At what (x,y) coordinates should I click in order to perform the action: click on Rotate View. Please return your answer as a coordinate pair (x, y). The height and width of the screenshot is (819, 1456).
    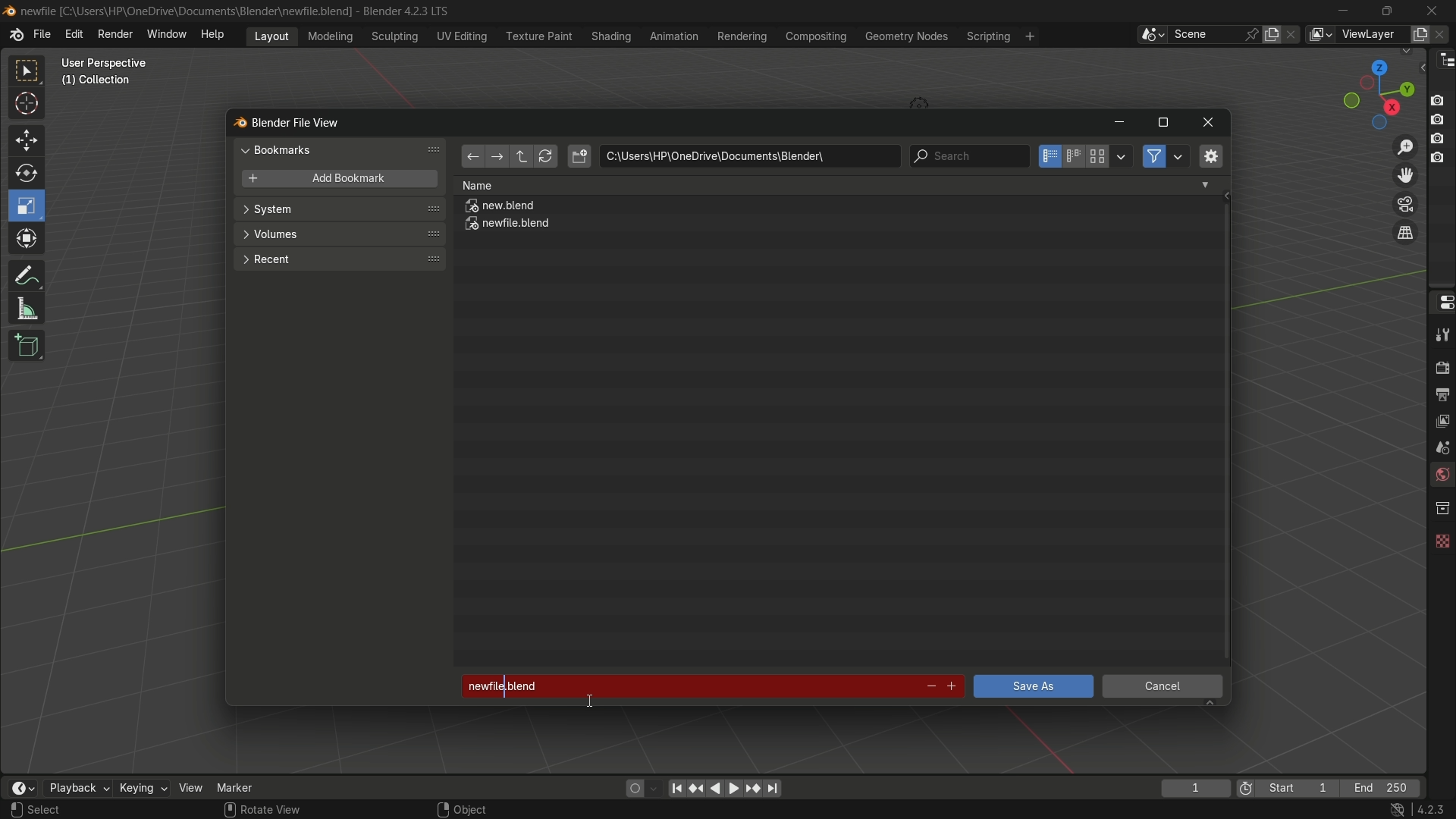
    Looking at the image, I should click on (262, 810).